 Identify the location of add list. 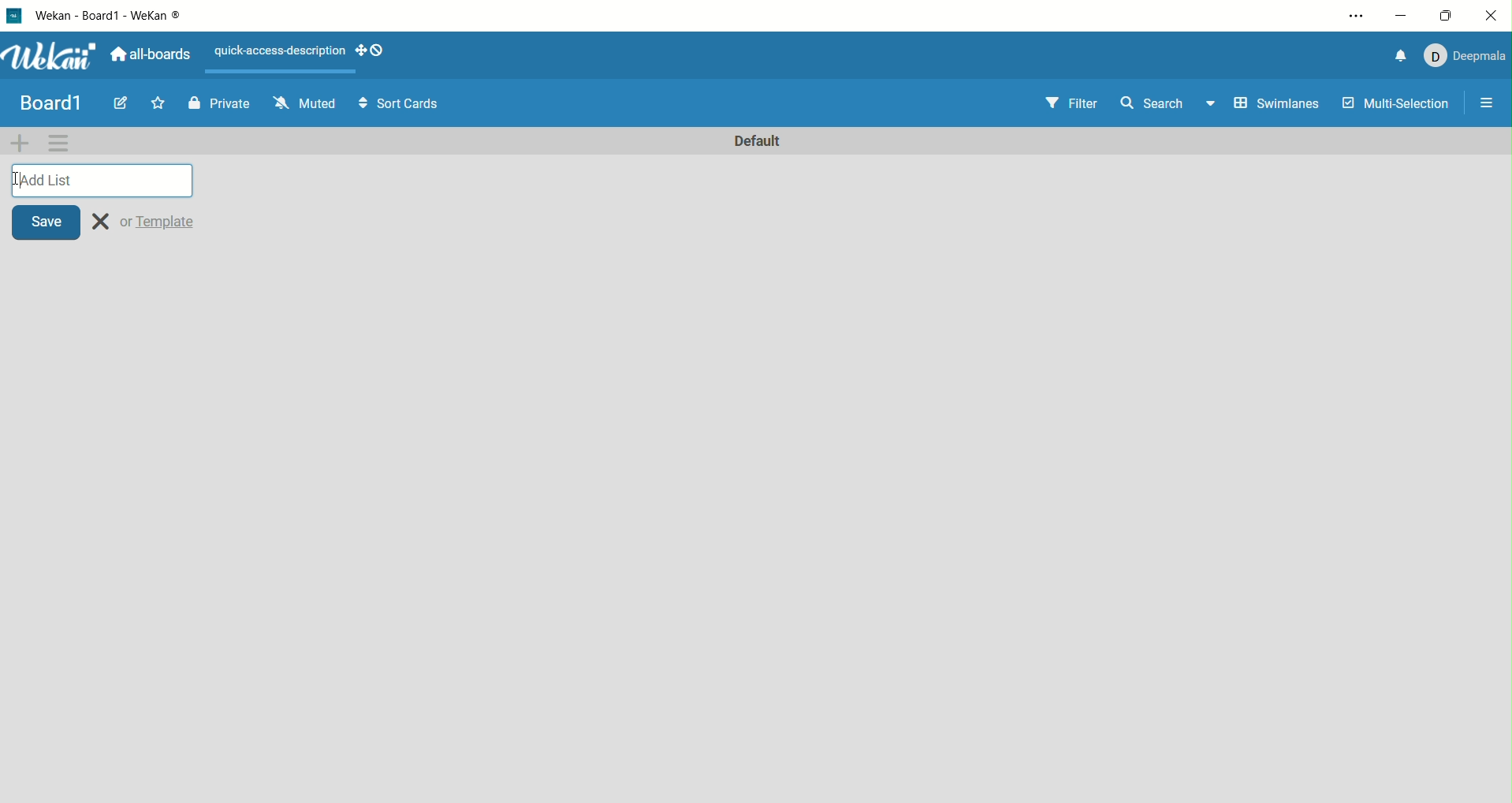
(103, 180).